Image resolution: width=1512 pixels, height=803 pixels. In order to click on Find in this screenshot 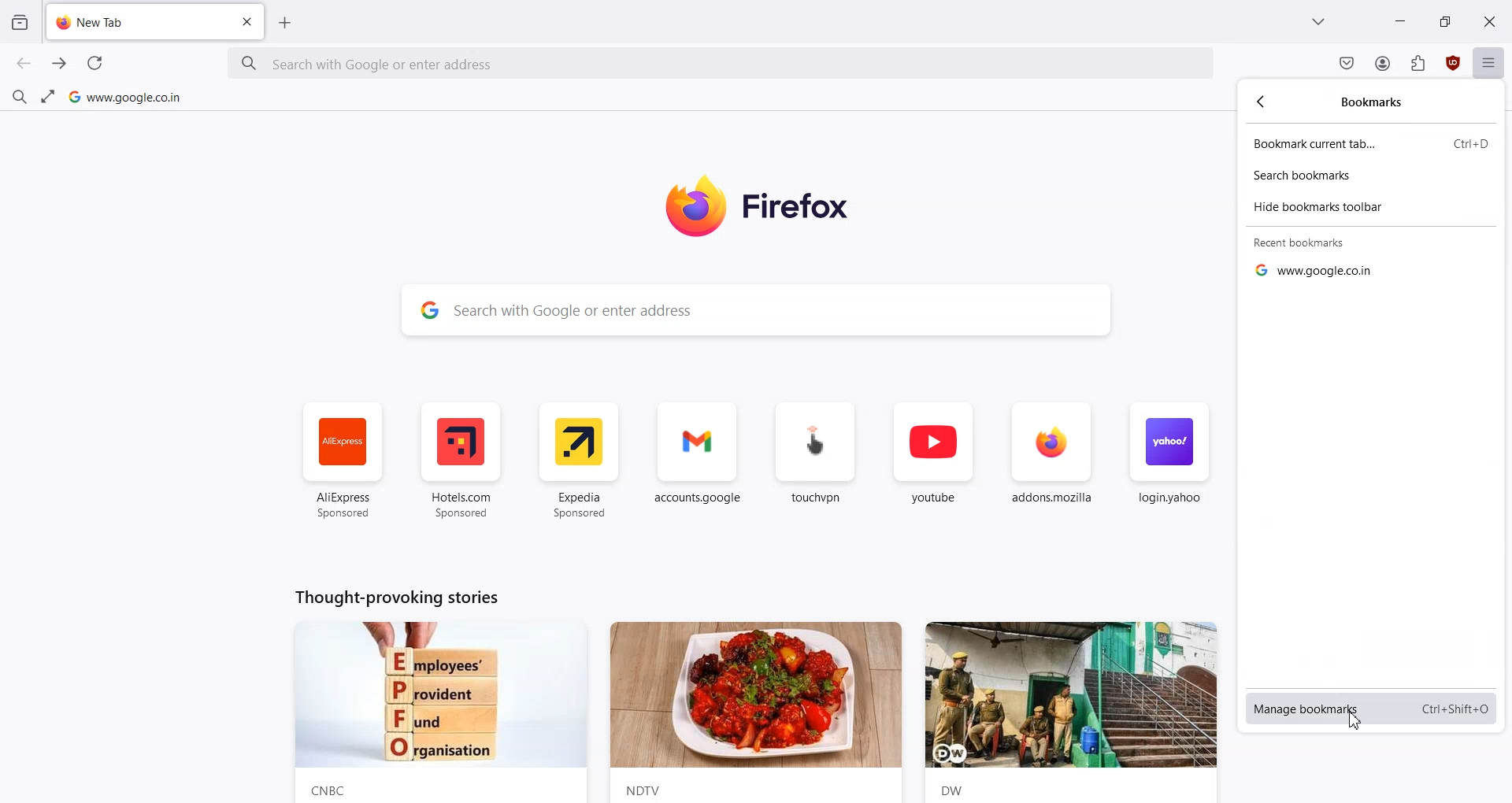, I will do `click(19, 94)`.